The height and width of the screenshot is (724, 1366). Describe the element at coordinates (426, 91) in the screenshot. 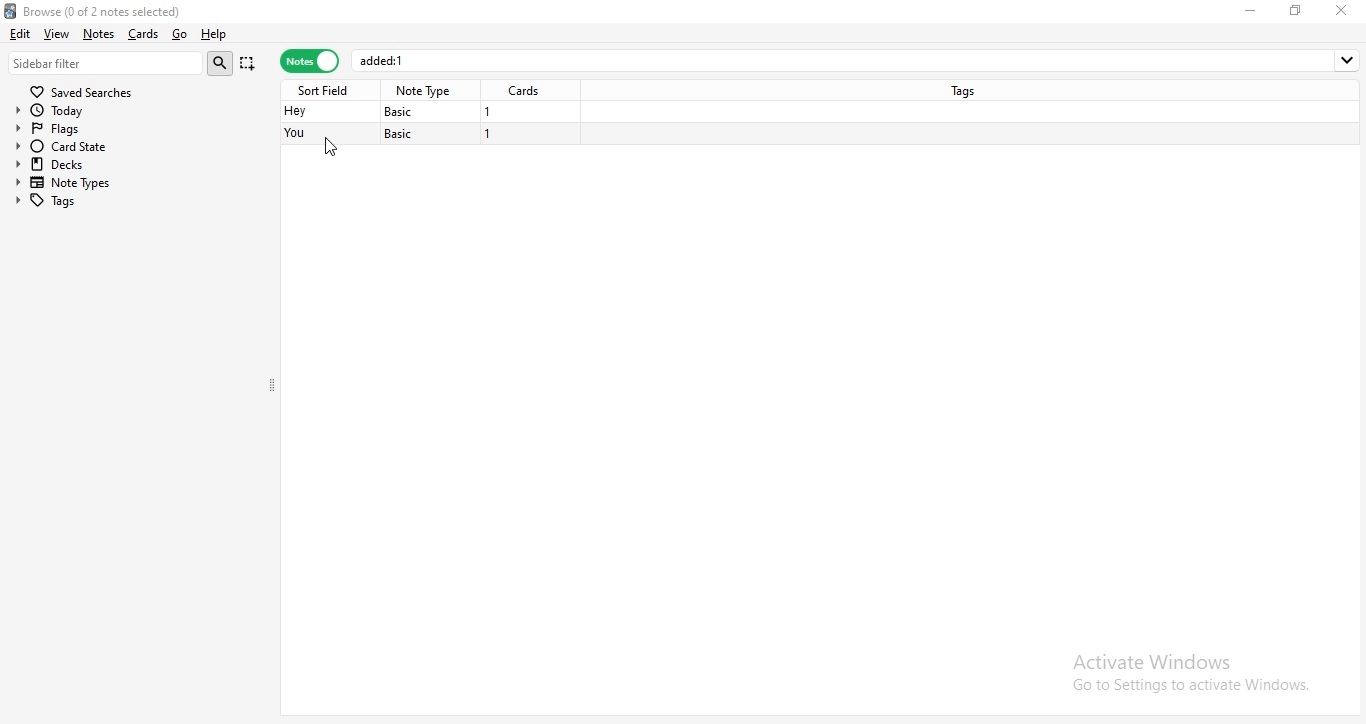

I see `note type` at that location.